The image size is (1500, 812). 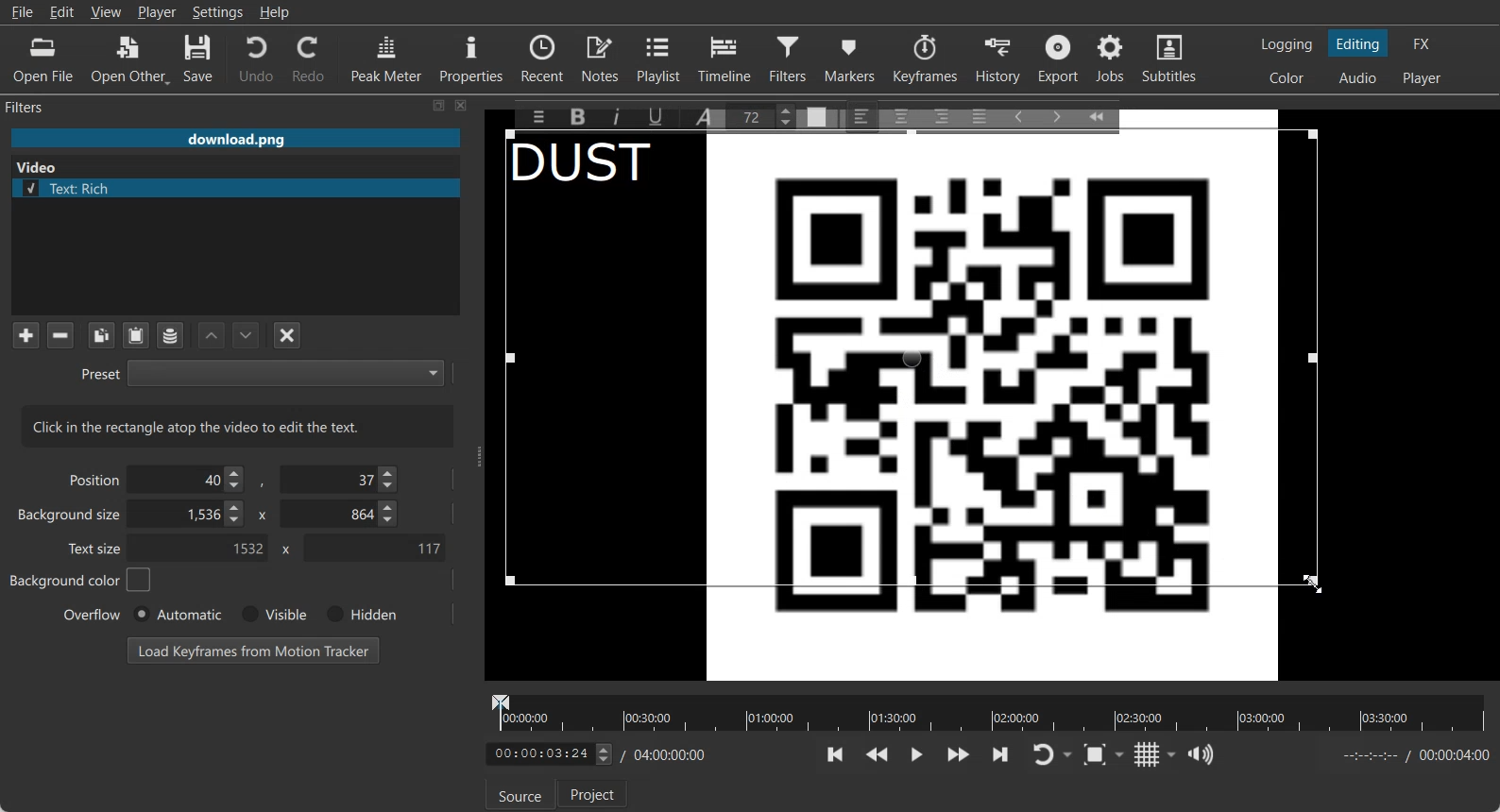 What do you see at coordinates (959, 754) in the screenshot?
I see `Play Quickly Forward` at bounding box center [959, 754].